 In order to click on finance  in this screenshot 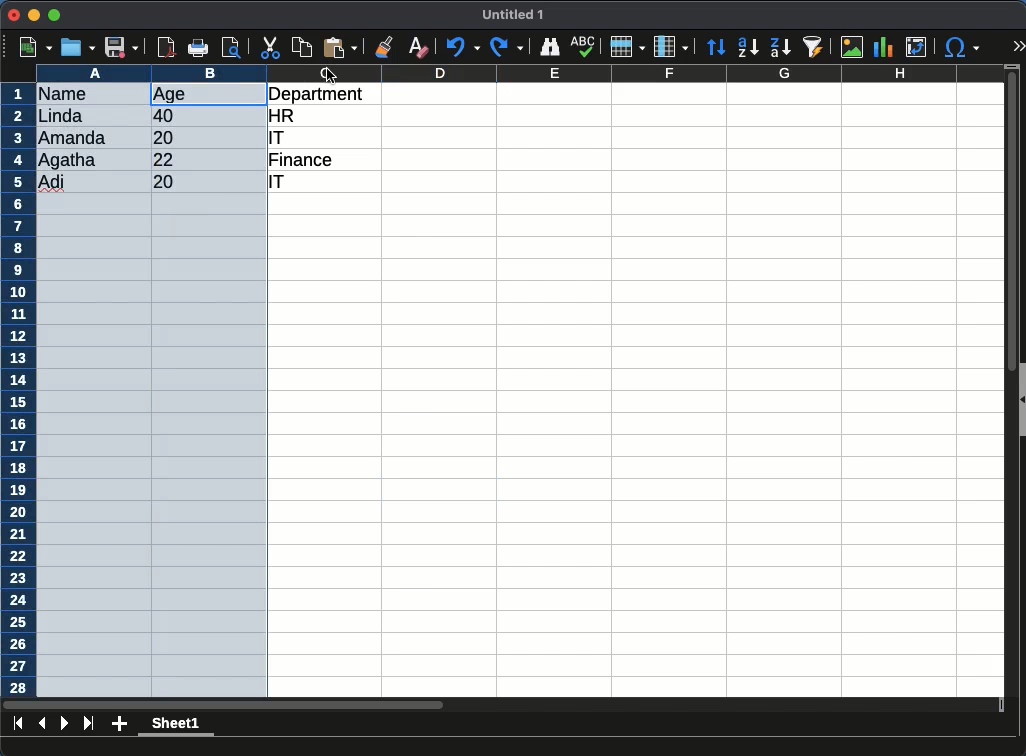, I will do `click(305, 162)`.